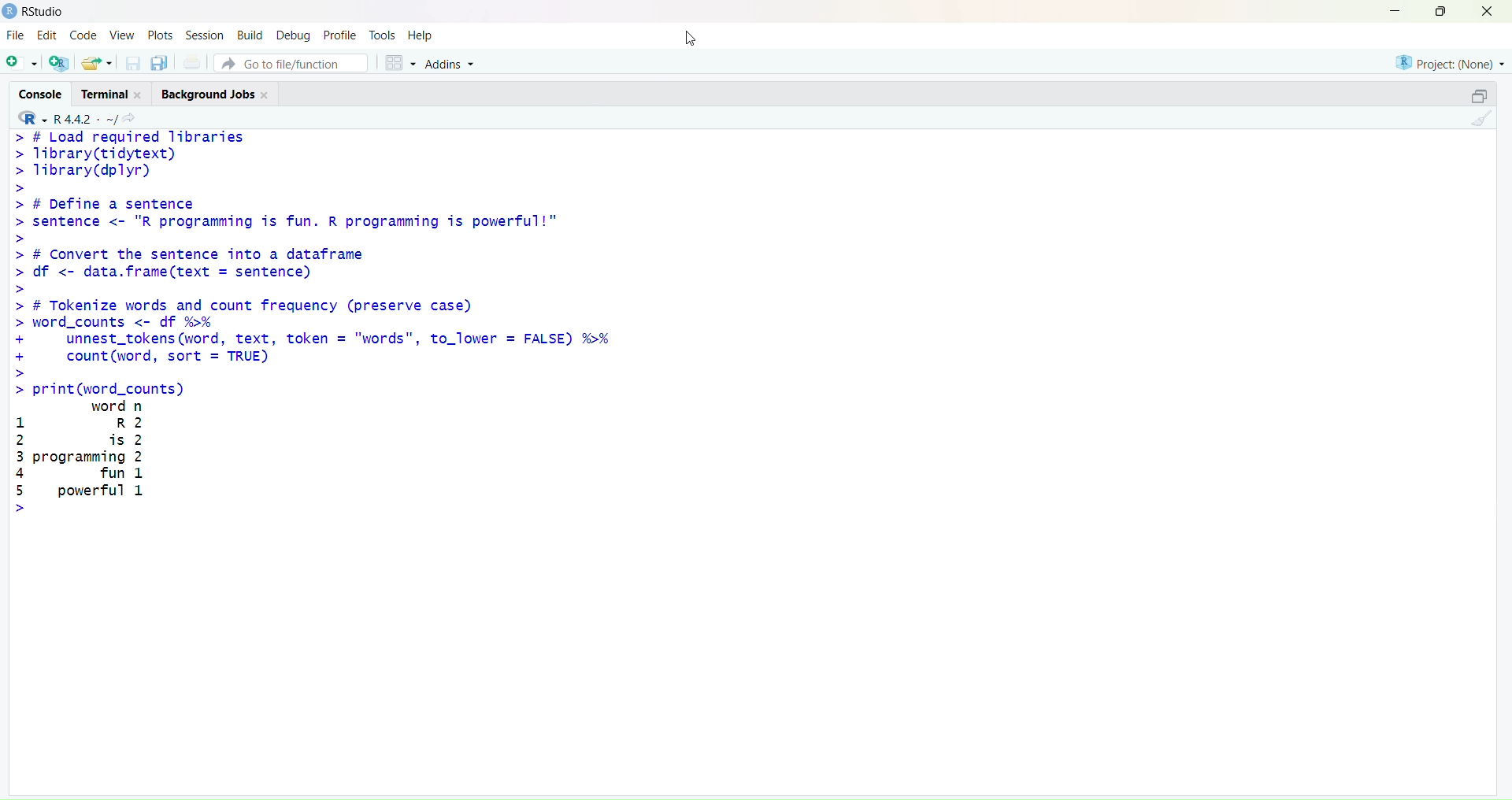 This screenshot has height=800, width=1512. What do you see at coordinates (295, 35) in the screenshot?
I see `debug` at bounding box center [295, 35].